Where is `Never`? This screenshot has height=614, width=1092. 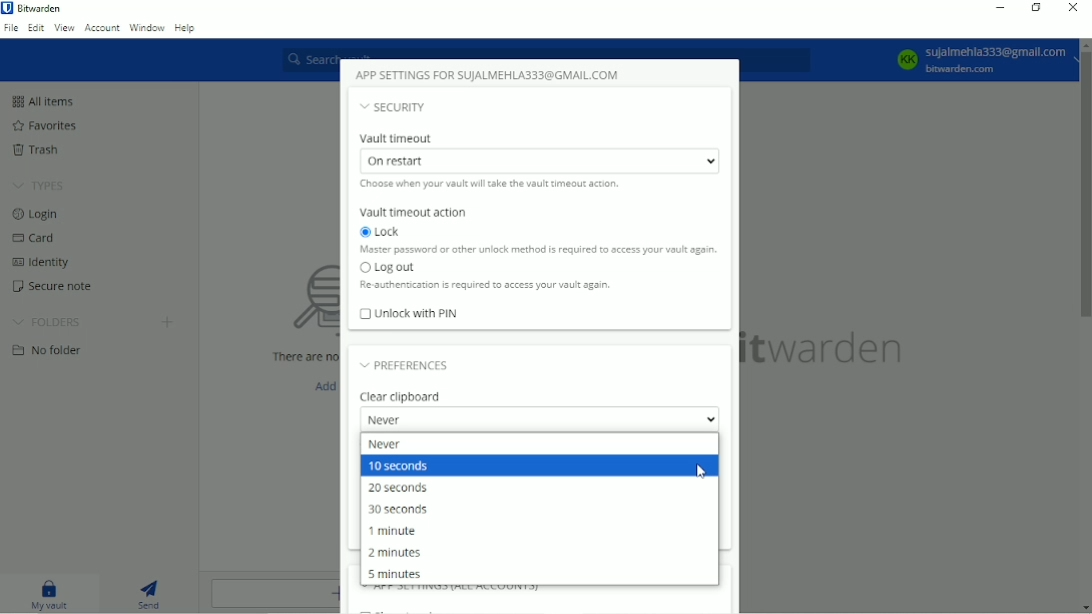
Never is located at coordinates (388, 444).